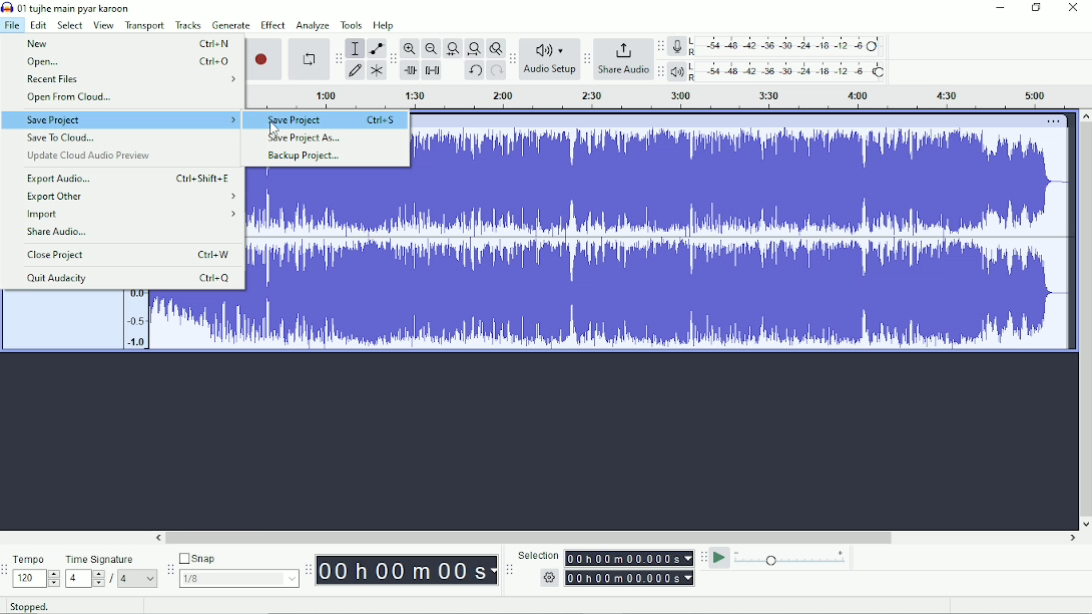  What do you see at coordinates (104, 25) in the screenshot?
I see `View` at bounding box center [104, 25].